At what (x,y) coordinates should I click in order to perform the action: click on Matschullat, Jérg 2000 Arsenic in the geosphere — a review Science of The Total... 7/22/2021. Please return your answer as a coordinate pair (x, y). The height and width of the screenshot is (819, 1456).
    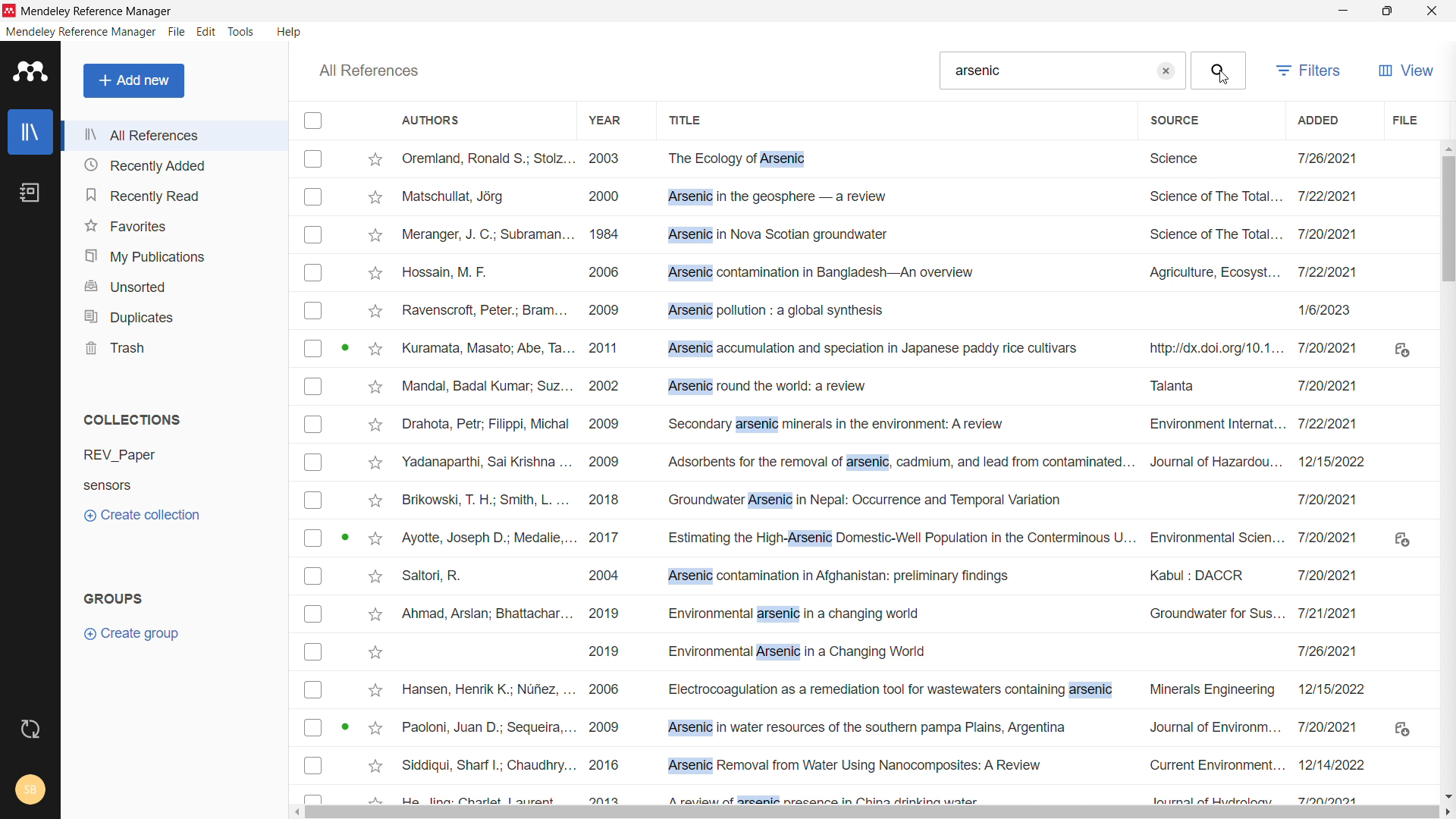
    Looking at the image, I should click on (901, 196).